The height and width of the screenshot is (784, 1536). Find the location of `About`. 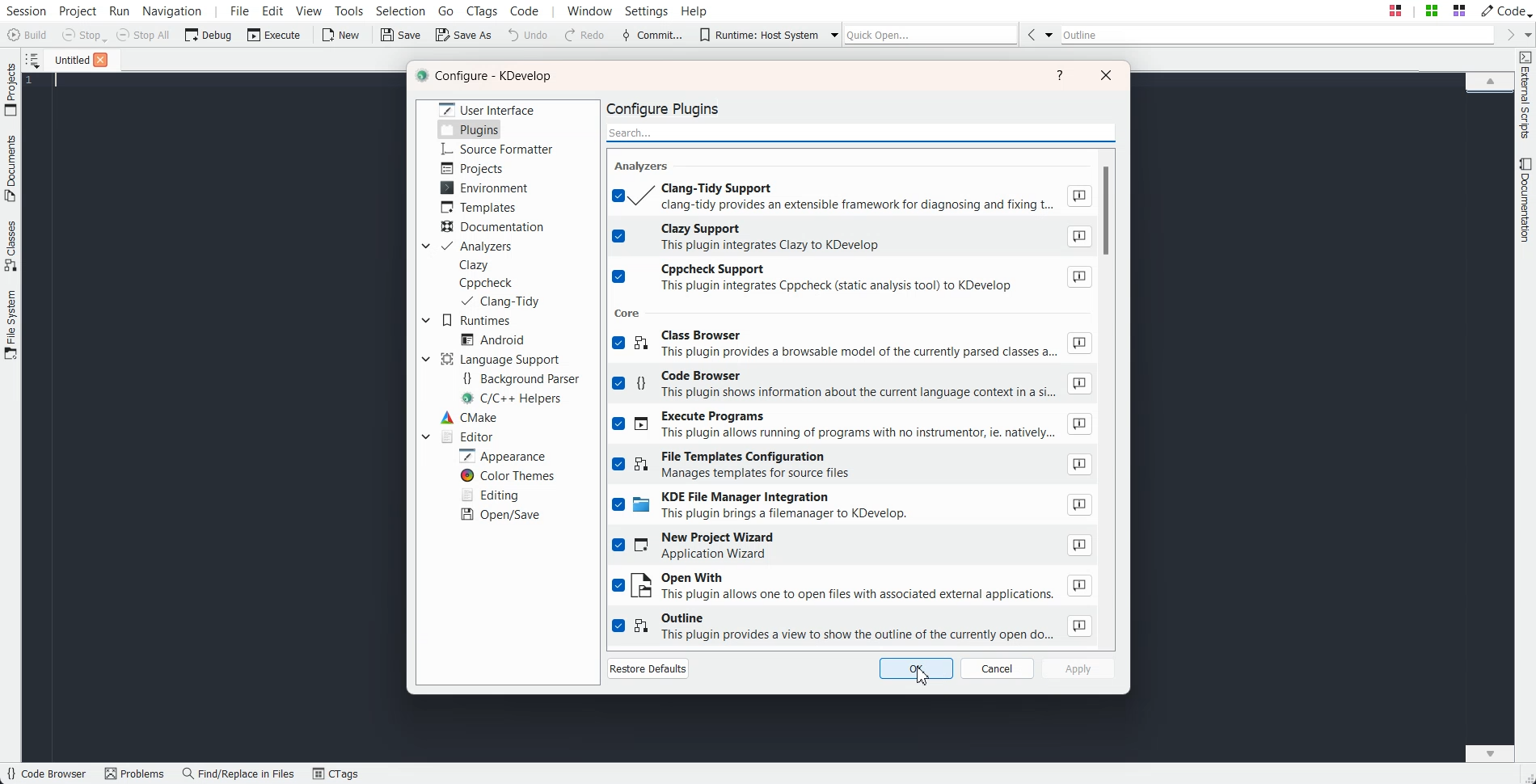

About is located at coordinates (1079, 384).